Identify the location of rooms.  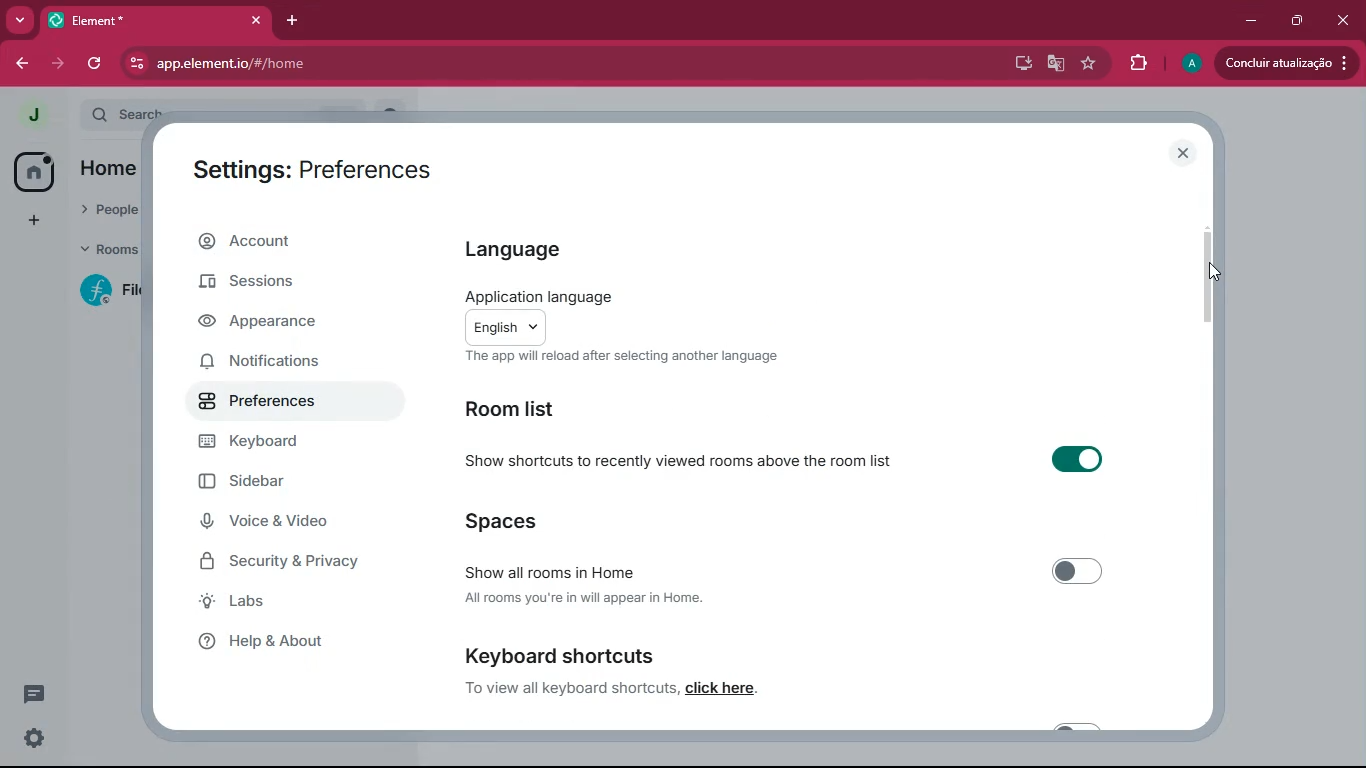
(108, 249).